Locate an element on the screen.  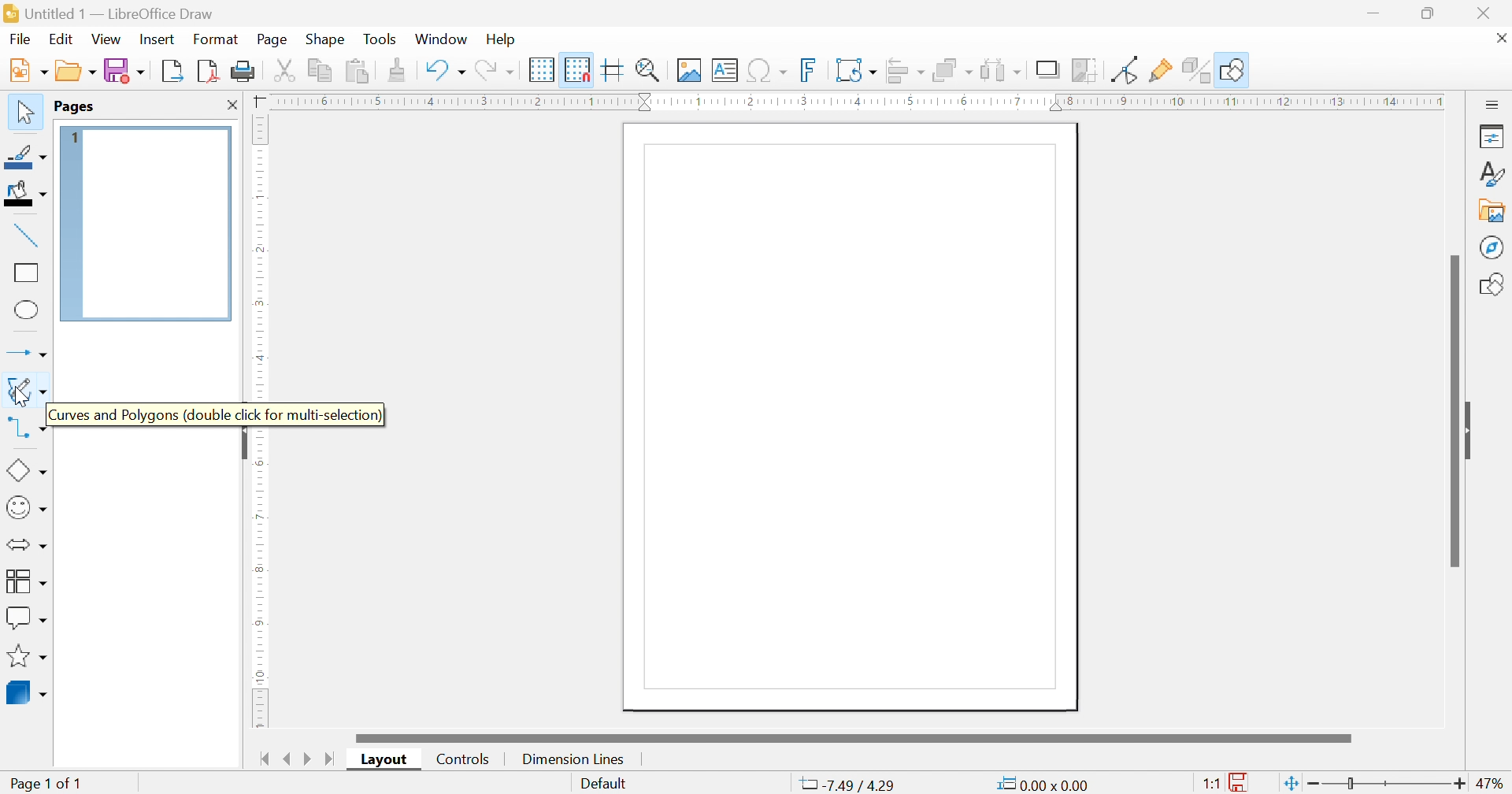
fill color is located at coordinates (24, 192).